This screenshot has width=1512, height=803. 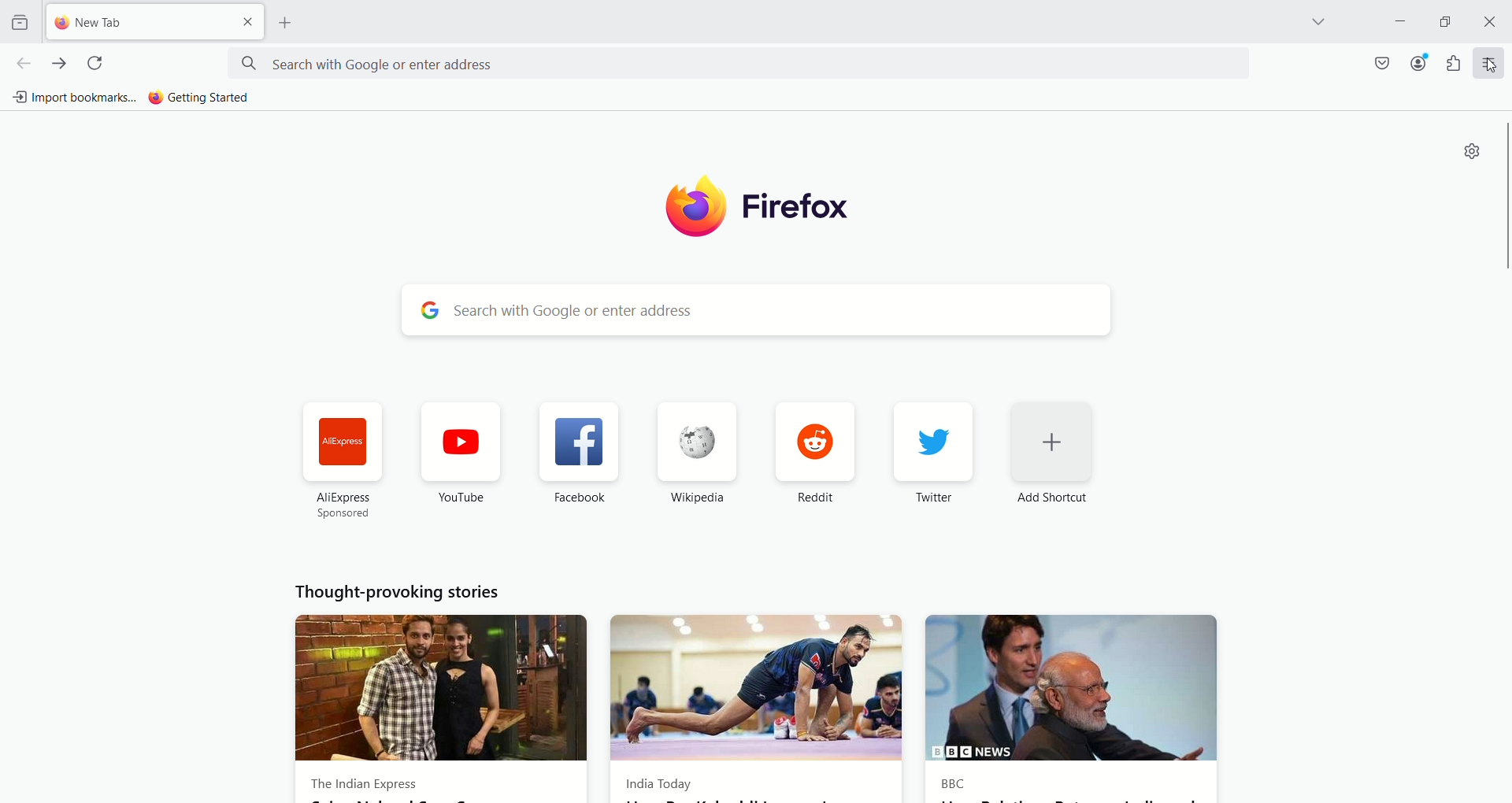 What do you see at coordinates (1377, 62) in the screenshot?
I see `save to pocket` at bounding box center [1377, 62].